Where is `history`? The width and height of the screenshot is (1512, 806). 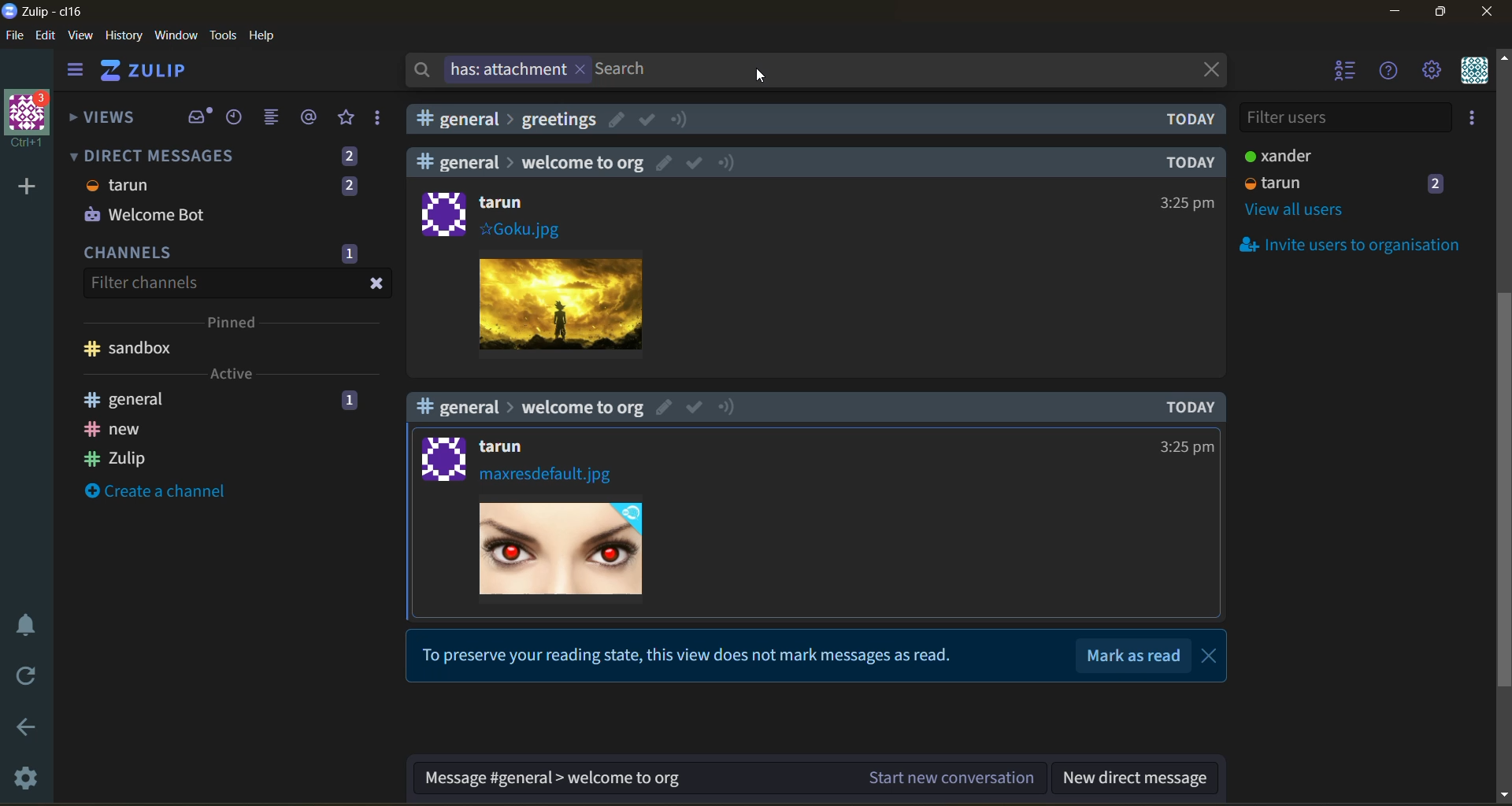
history is located at coordinates (124, 35).